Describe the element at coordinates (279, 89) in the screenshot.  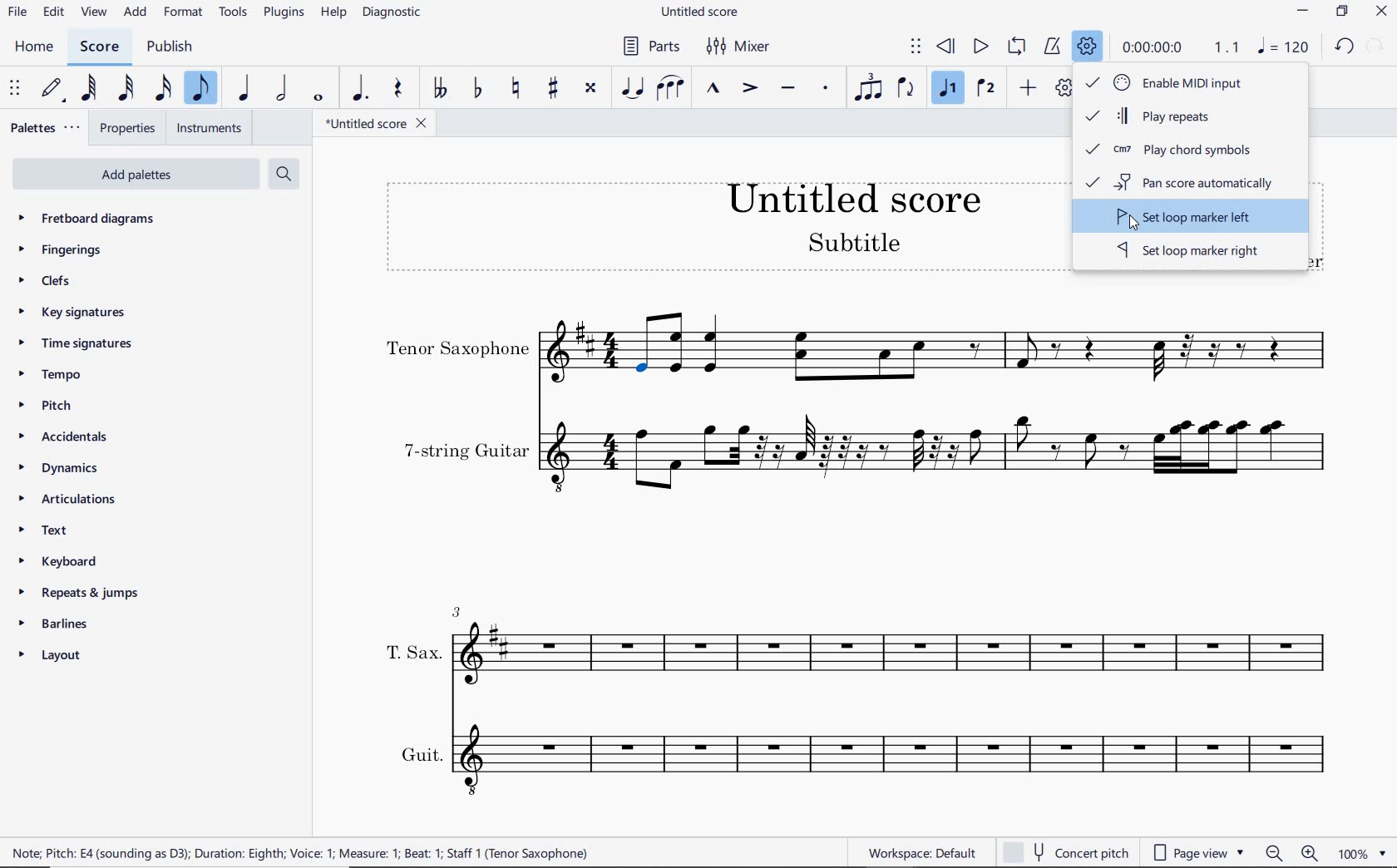
I see `HALF NOTE` at that location.